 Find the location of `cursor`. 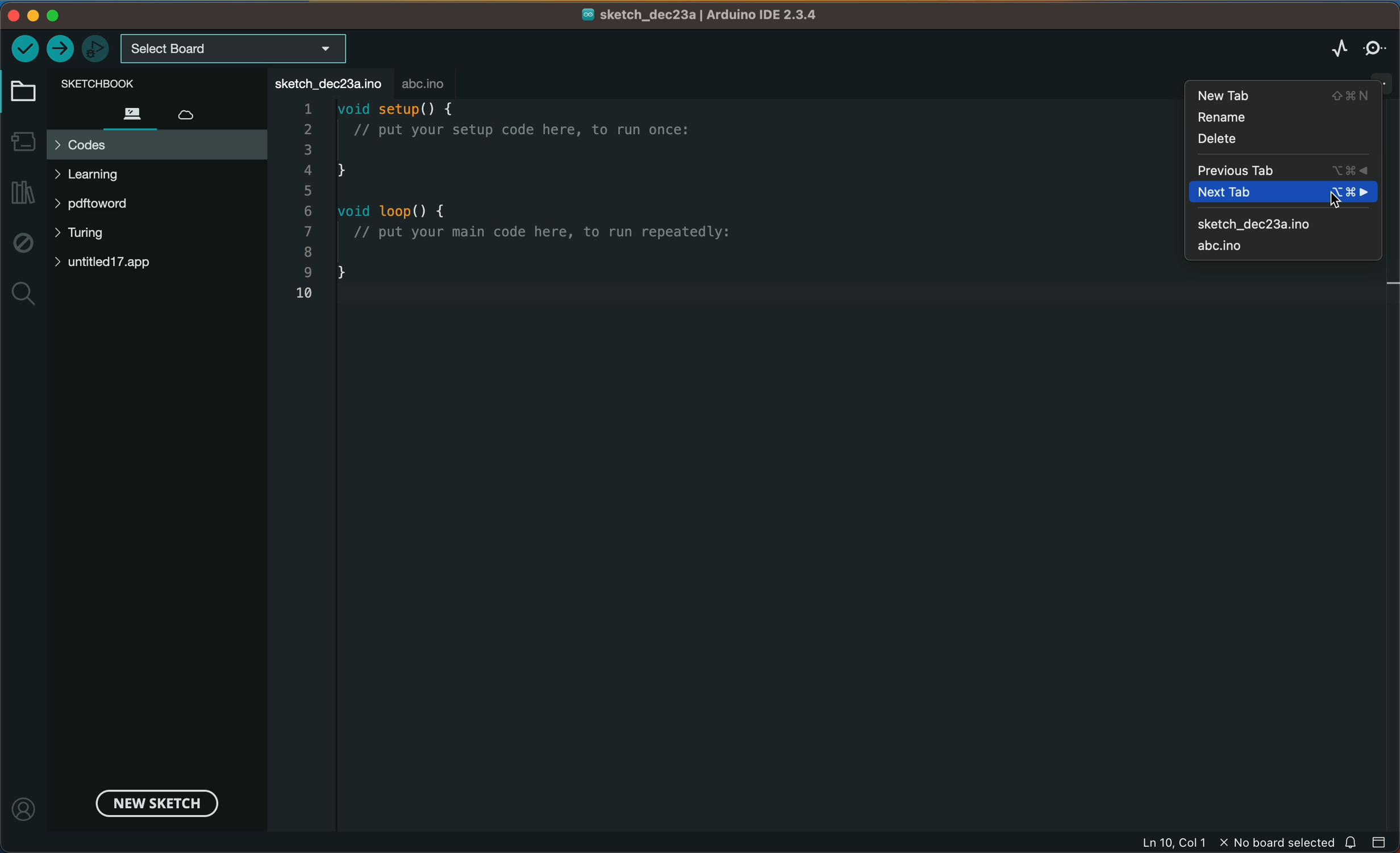

cursor is located at coordinates (1332, 193).